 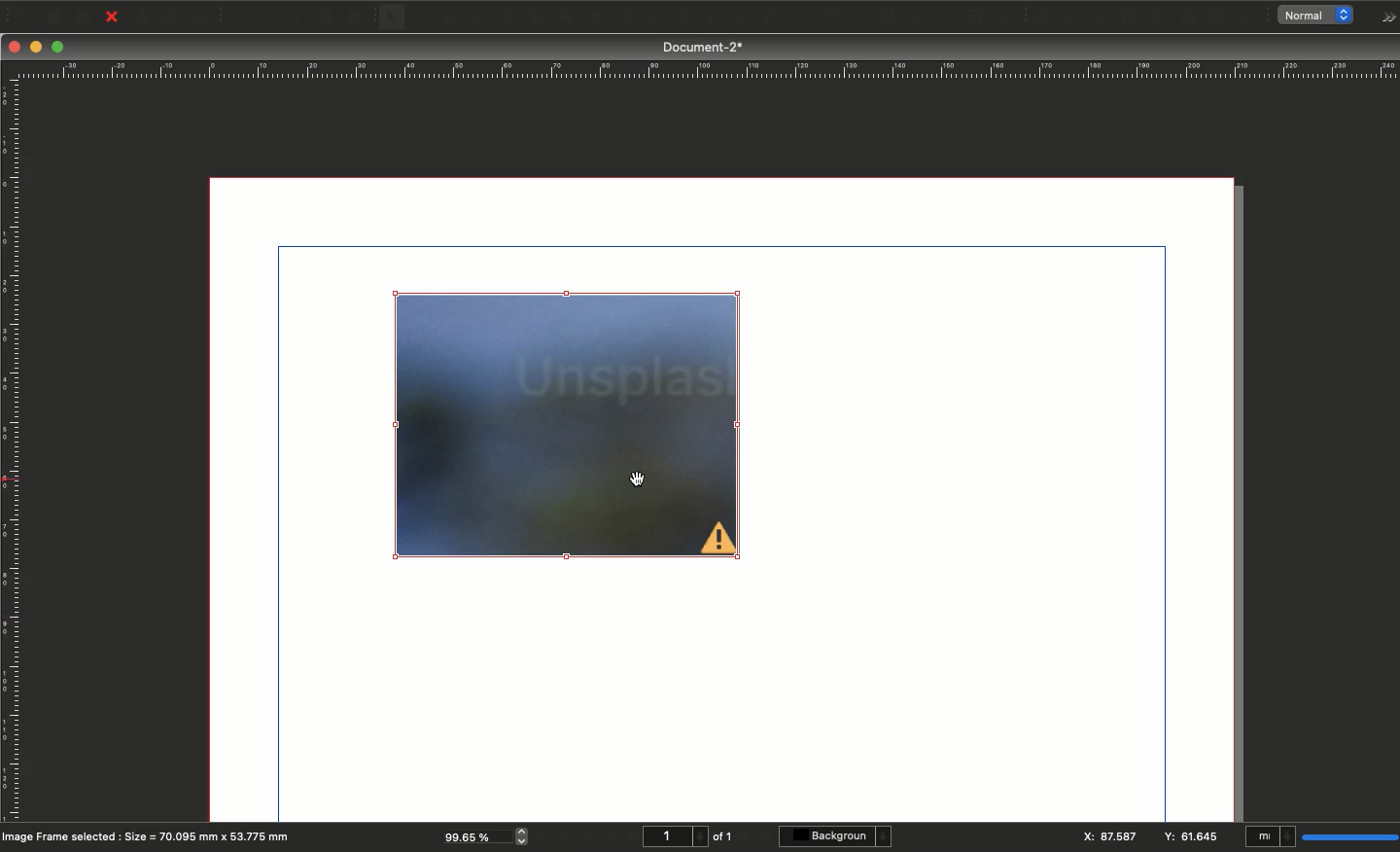 What do you see at coordinates (157, 871) in the screenshot?
I see `image Frame selected : Size = 70.095 mm x 53.776 mm` at bounding box center [157, 871].